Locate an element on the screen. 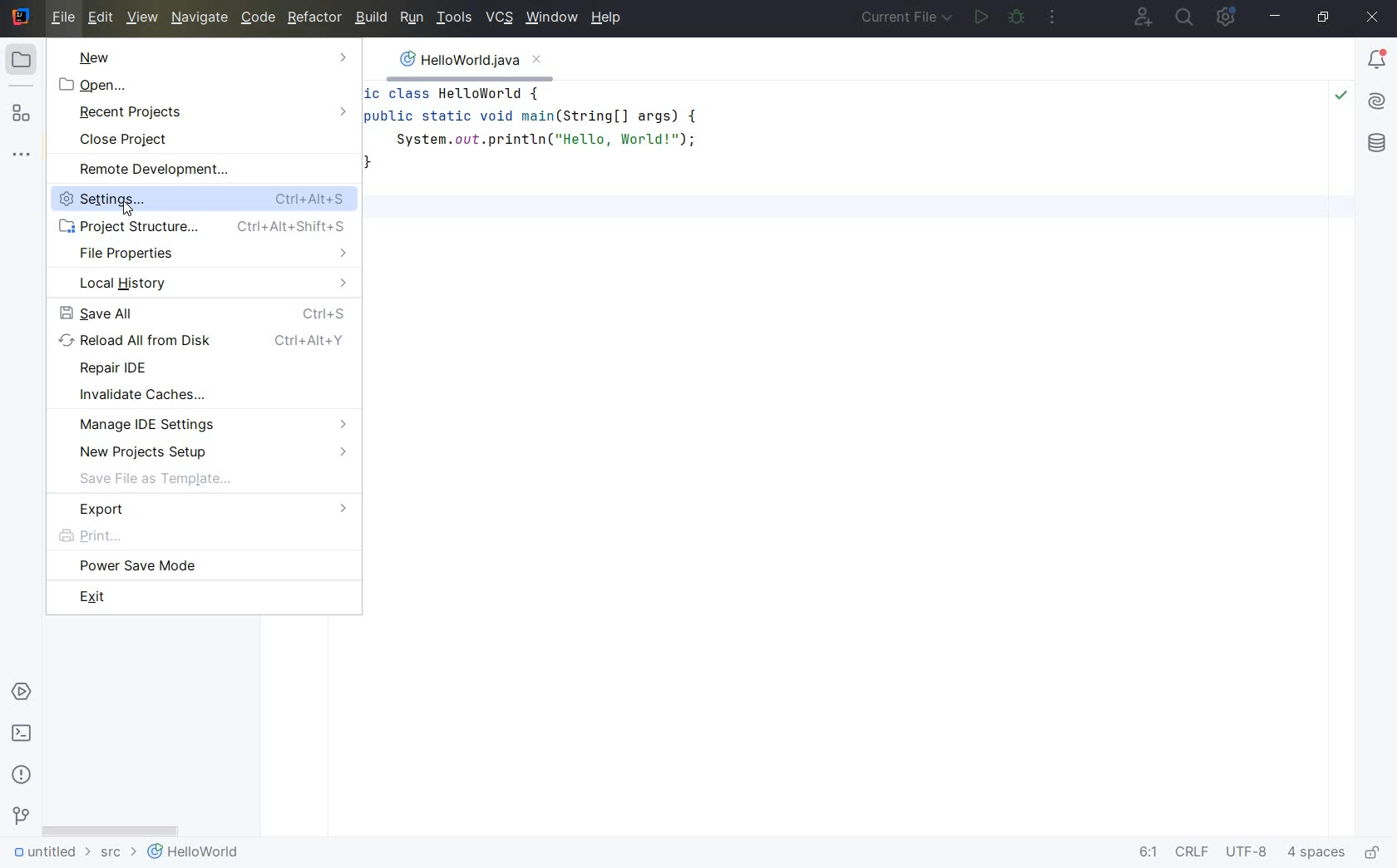 Image resolution: width=1397 pixels, height=868 pixels. file is located at coordinates (63, 18).